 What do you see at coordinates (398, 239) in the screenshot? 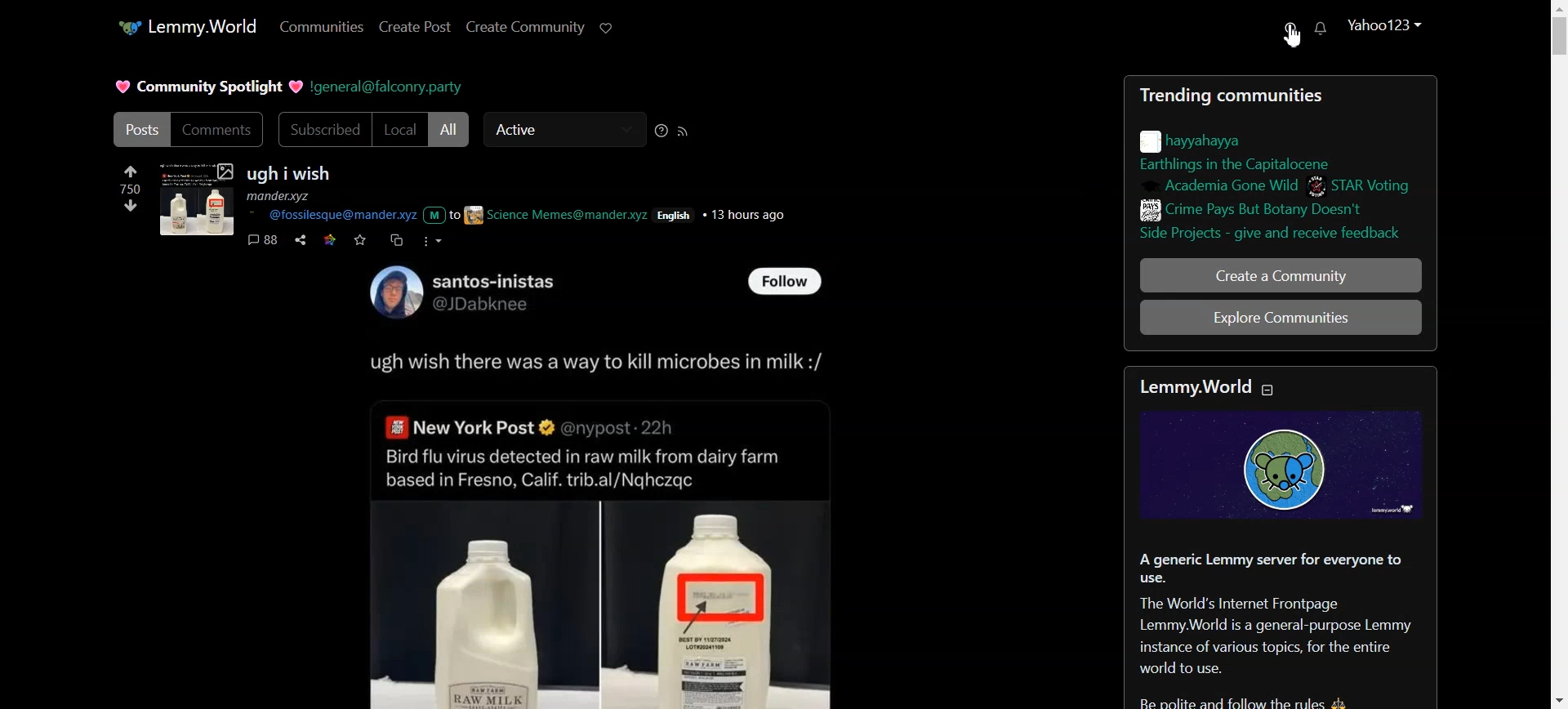
I see `Copy` at bounding box center [398, 239].